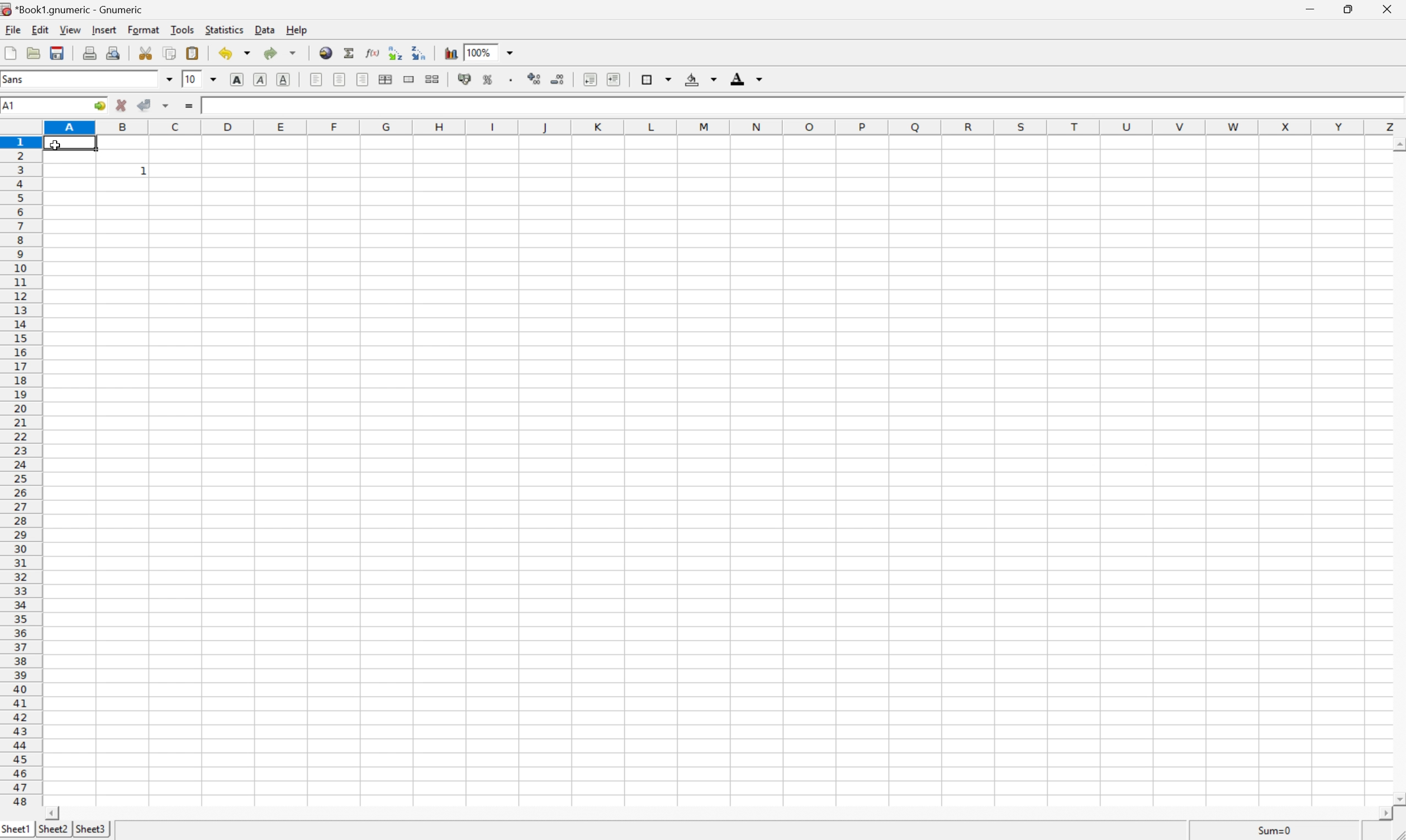  I want to click on bold, so click(237, 80).